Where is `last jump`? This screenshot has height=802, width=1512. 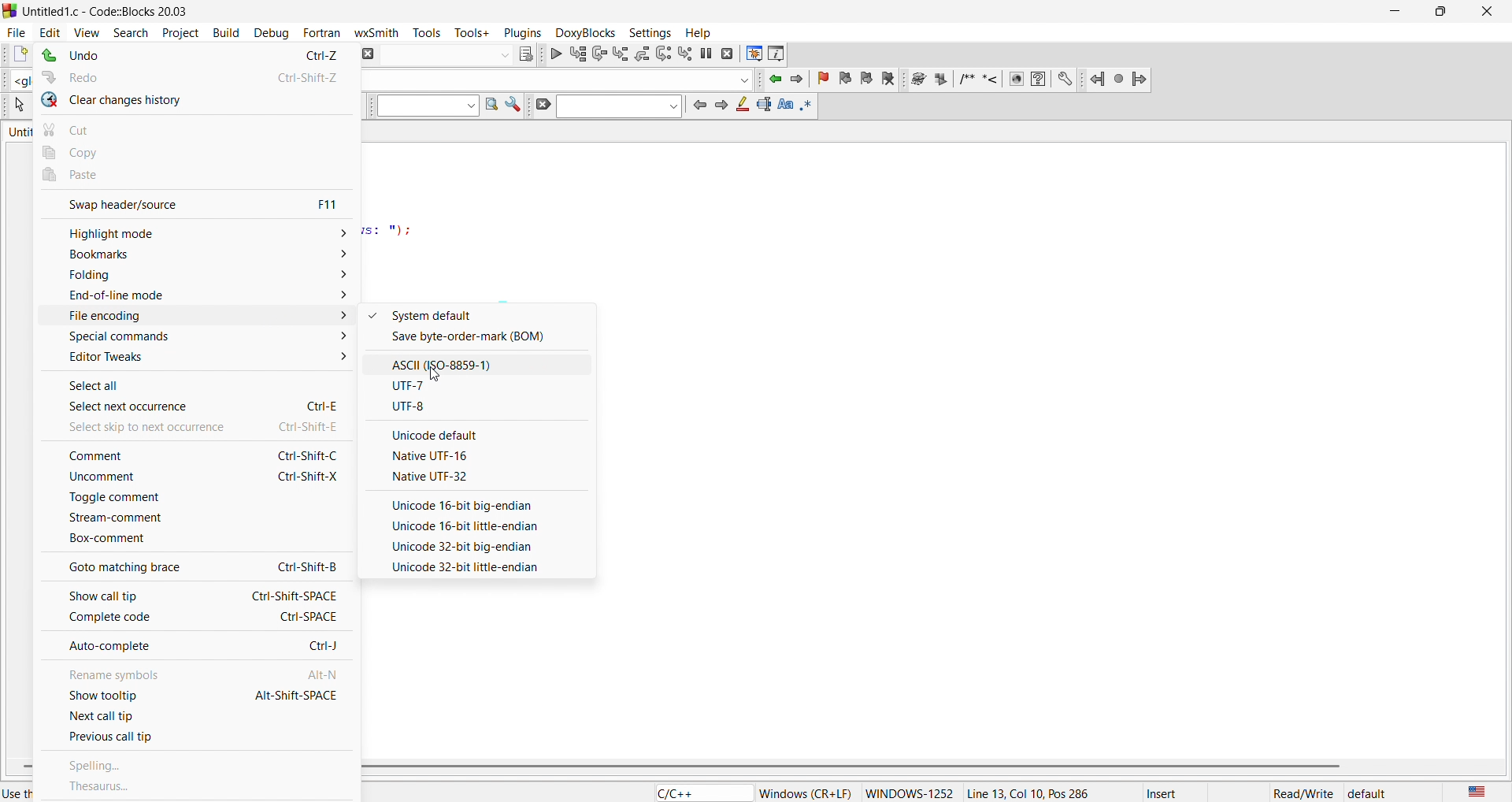
last jump is located at coordinates (1121, 80).